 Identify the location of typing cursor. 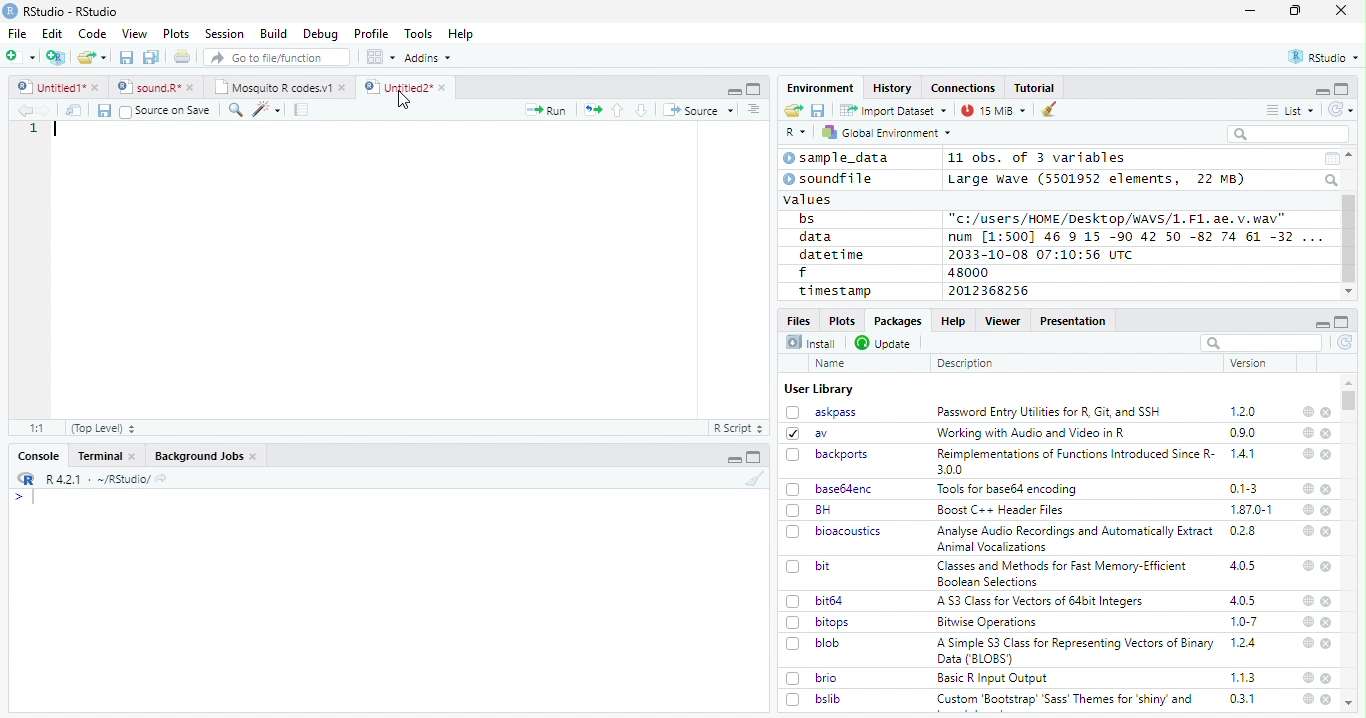
(24, 497).